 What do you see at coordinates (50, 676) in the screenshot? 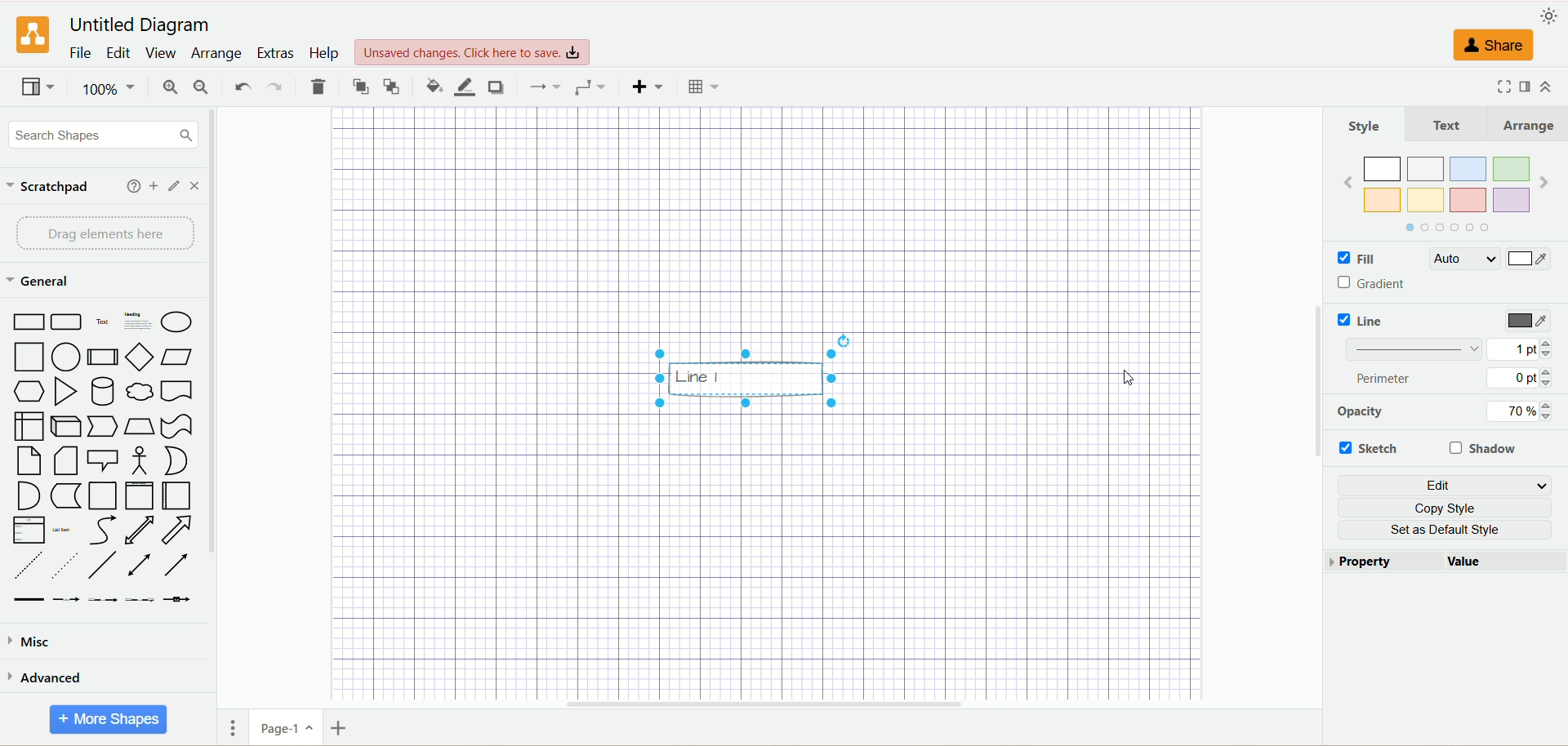
I see `advanced` at bounding box center [50, 676].